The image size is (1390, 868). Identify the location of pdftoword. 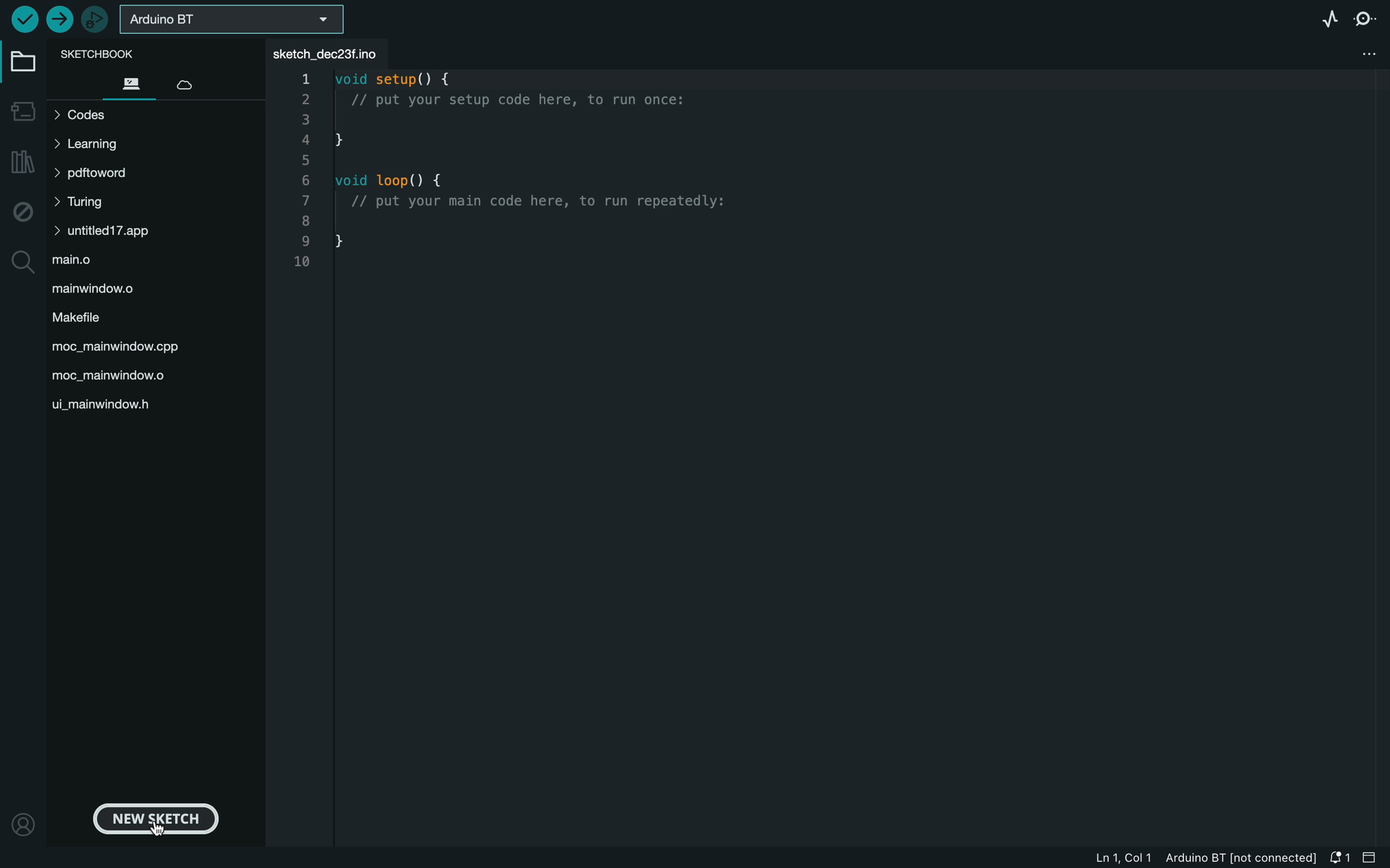
(91, 173).